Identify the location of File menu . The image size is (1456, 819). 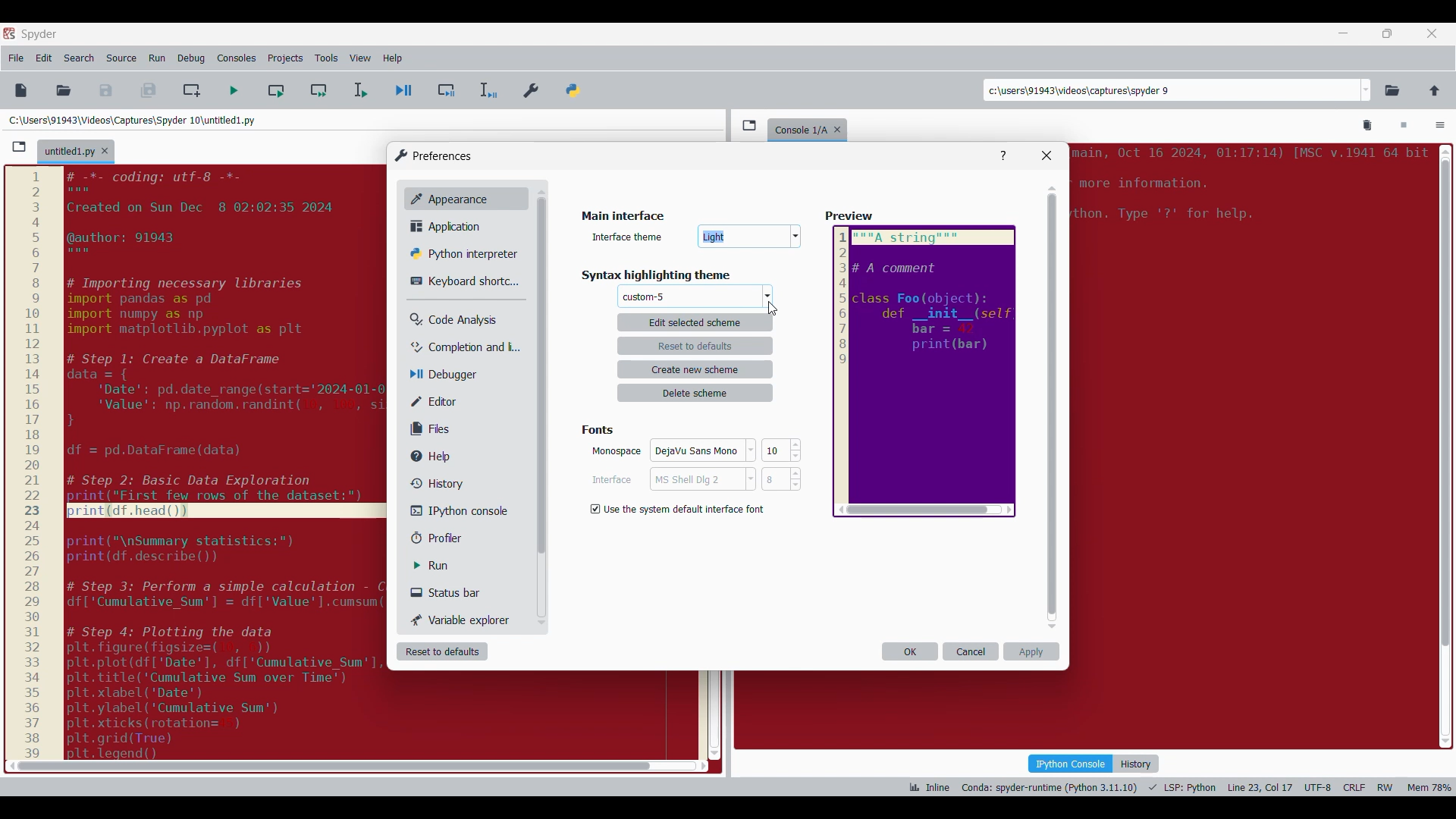
(16, 58).